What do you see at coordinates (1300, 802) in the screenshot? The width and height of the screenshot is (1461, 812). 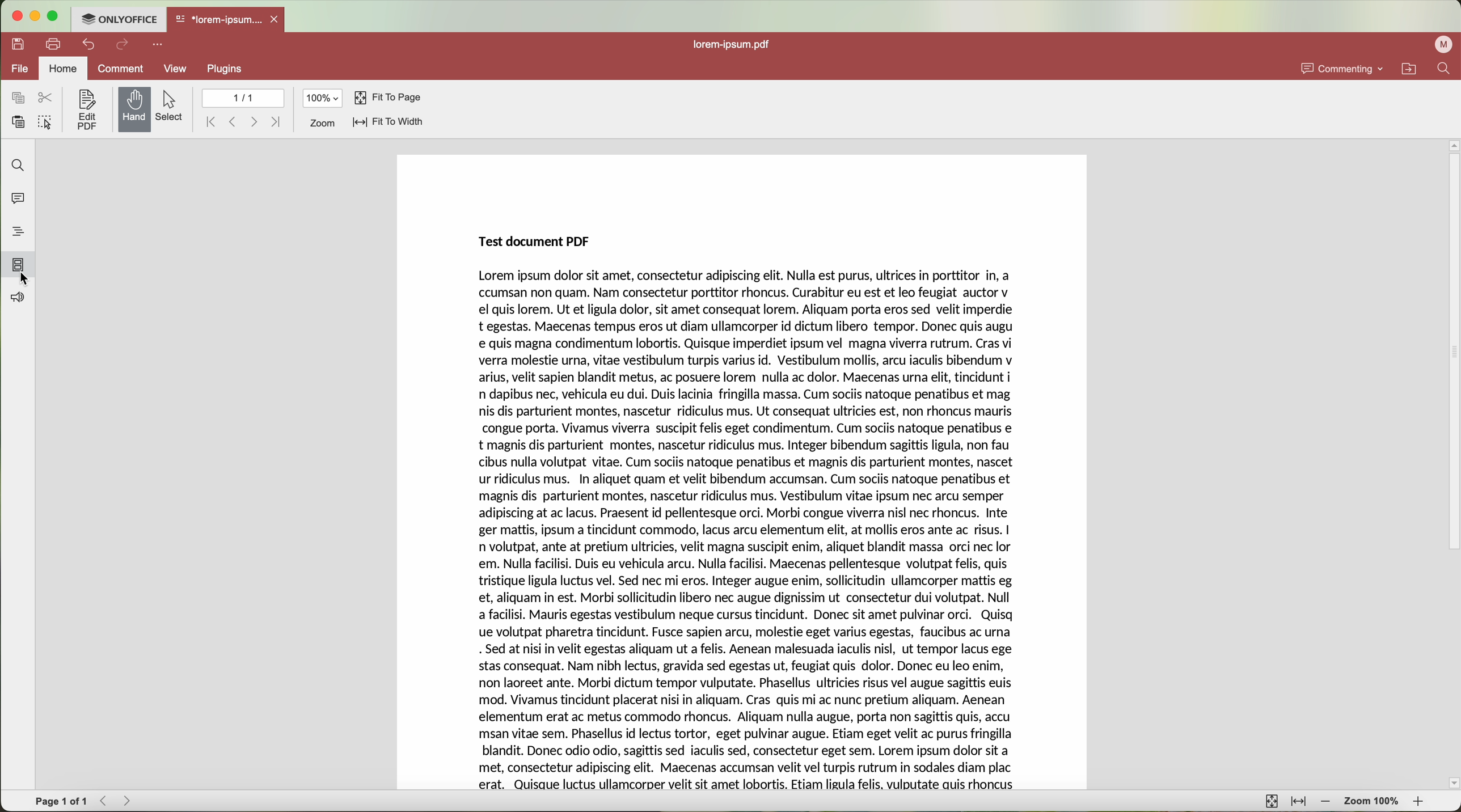 I see `fit to width` at bounding box center [1300, 802].